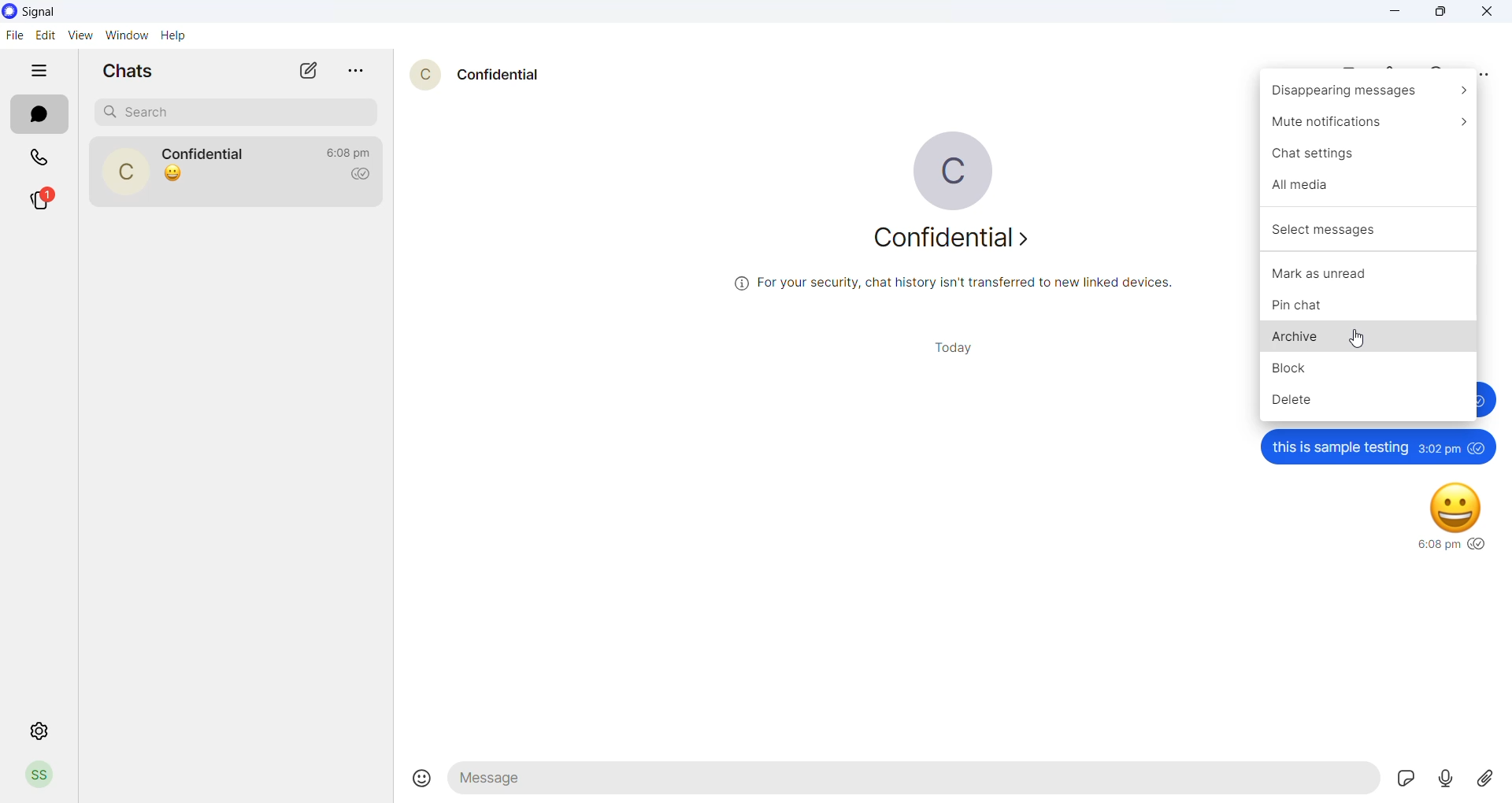  I want to click on hide, so click(39, 68).